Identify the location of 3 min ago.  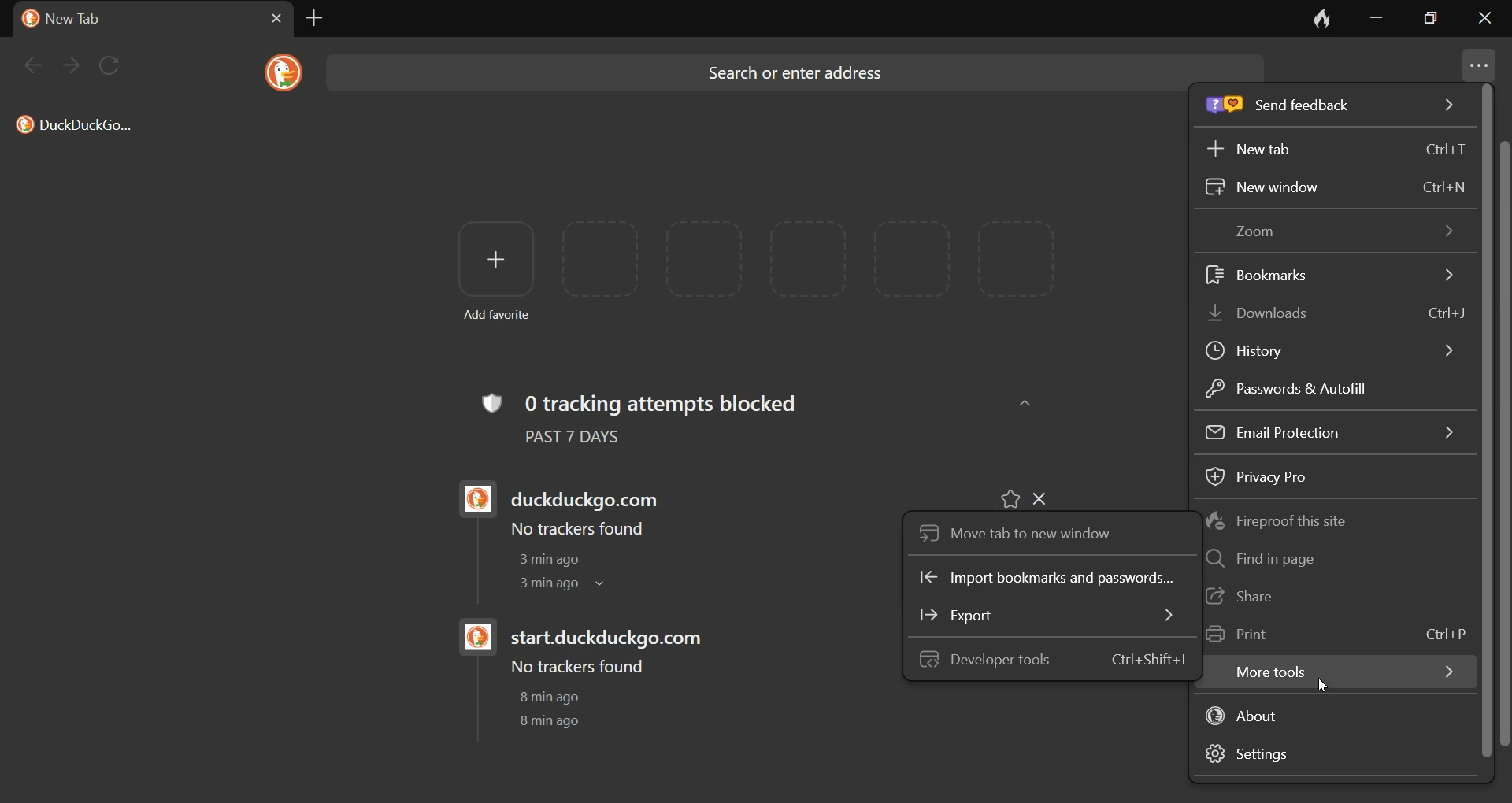
(543, 585).